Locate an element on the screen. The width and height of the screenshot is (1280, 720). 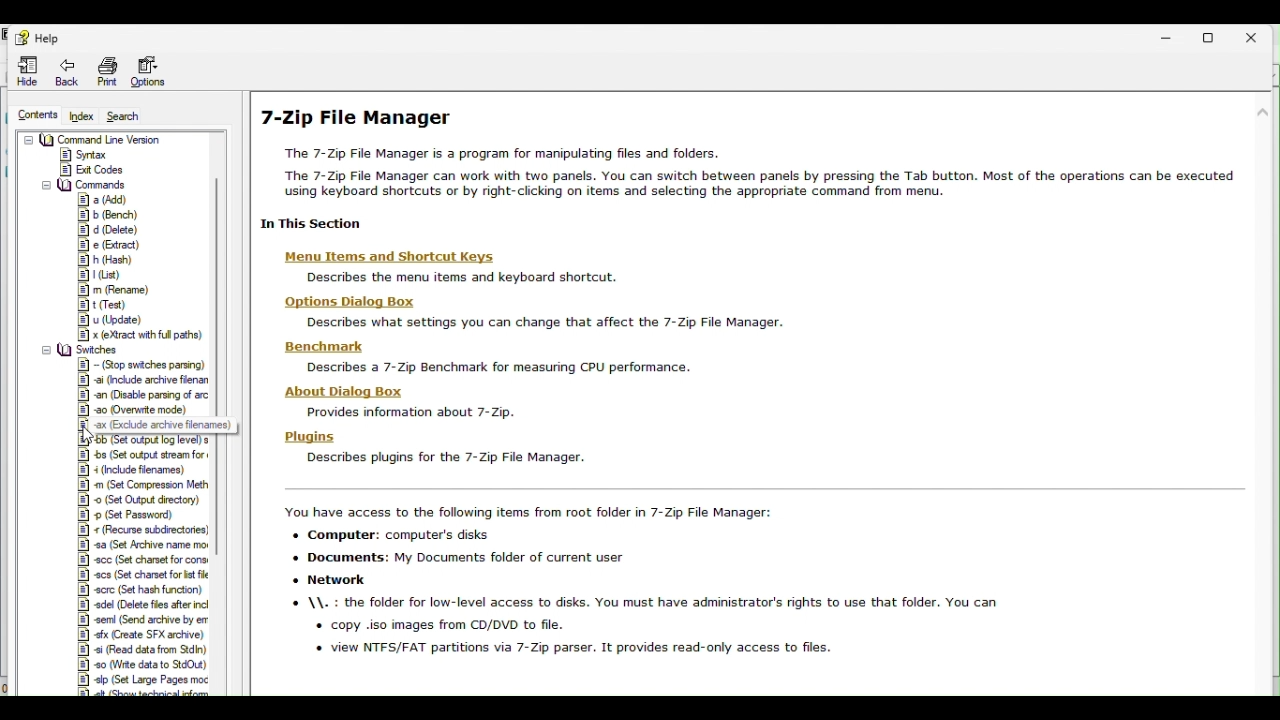
Search gur is located at coordinates (124, 116).